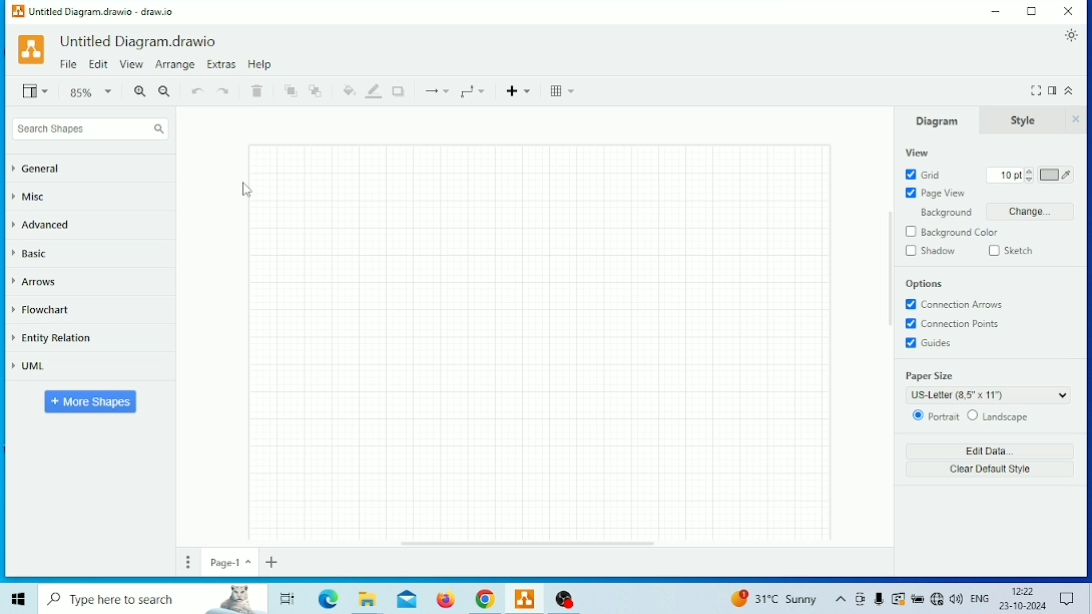 The image size is (1092, 614). What do you see at coordinates (1012, 251) in the screenshot?
I see `Sketch` at bounding box center [1012, 251].